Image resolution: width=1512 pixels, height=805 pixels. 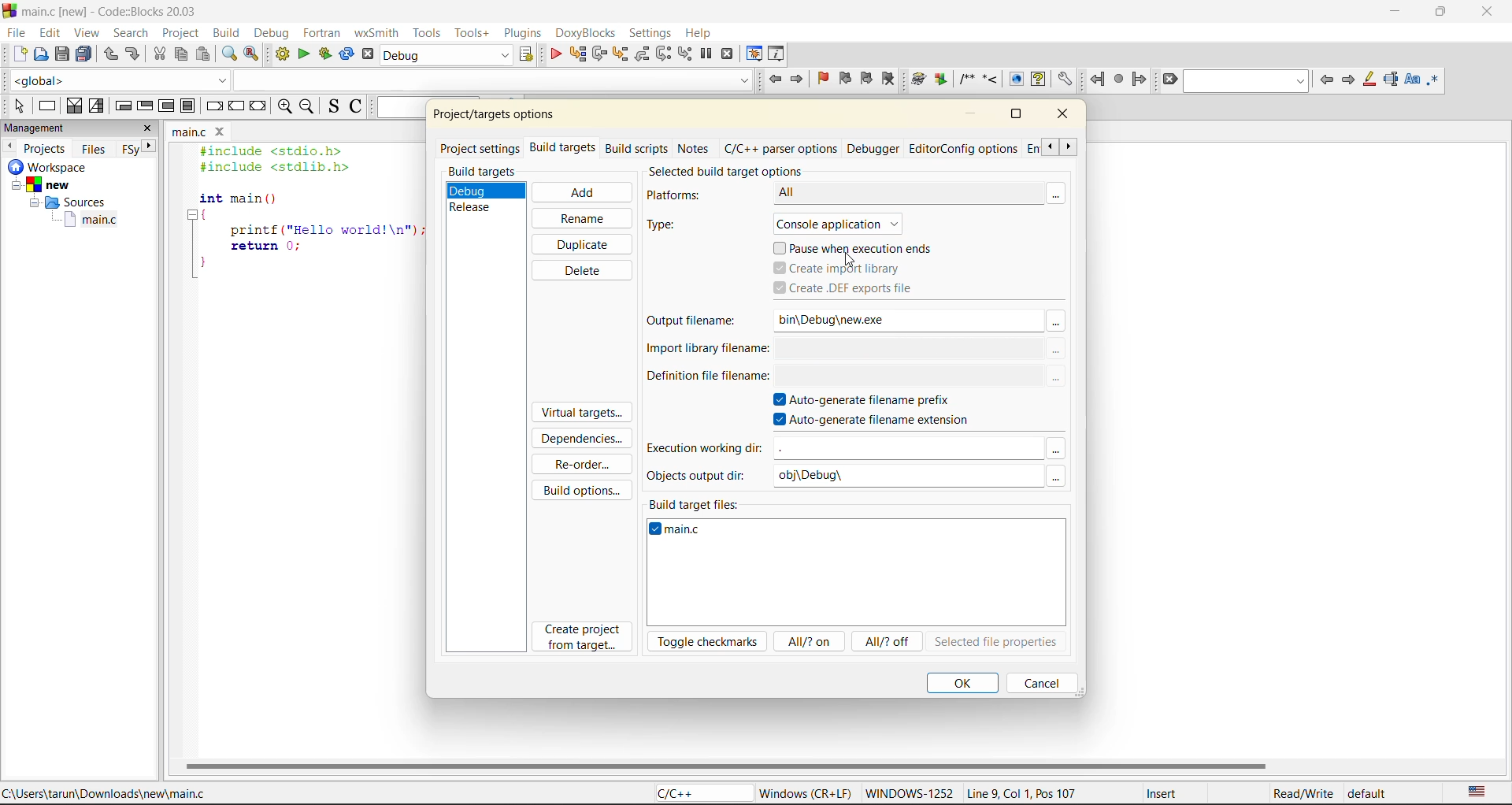 I want to click on projects, so click(x=47, y=148).